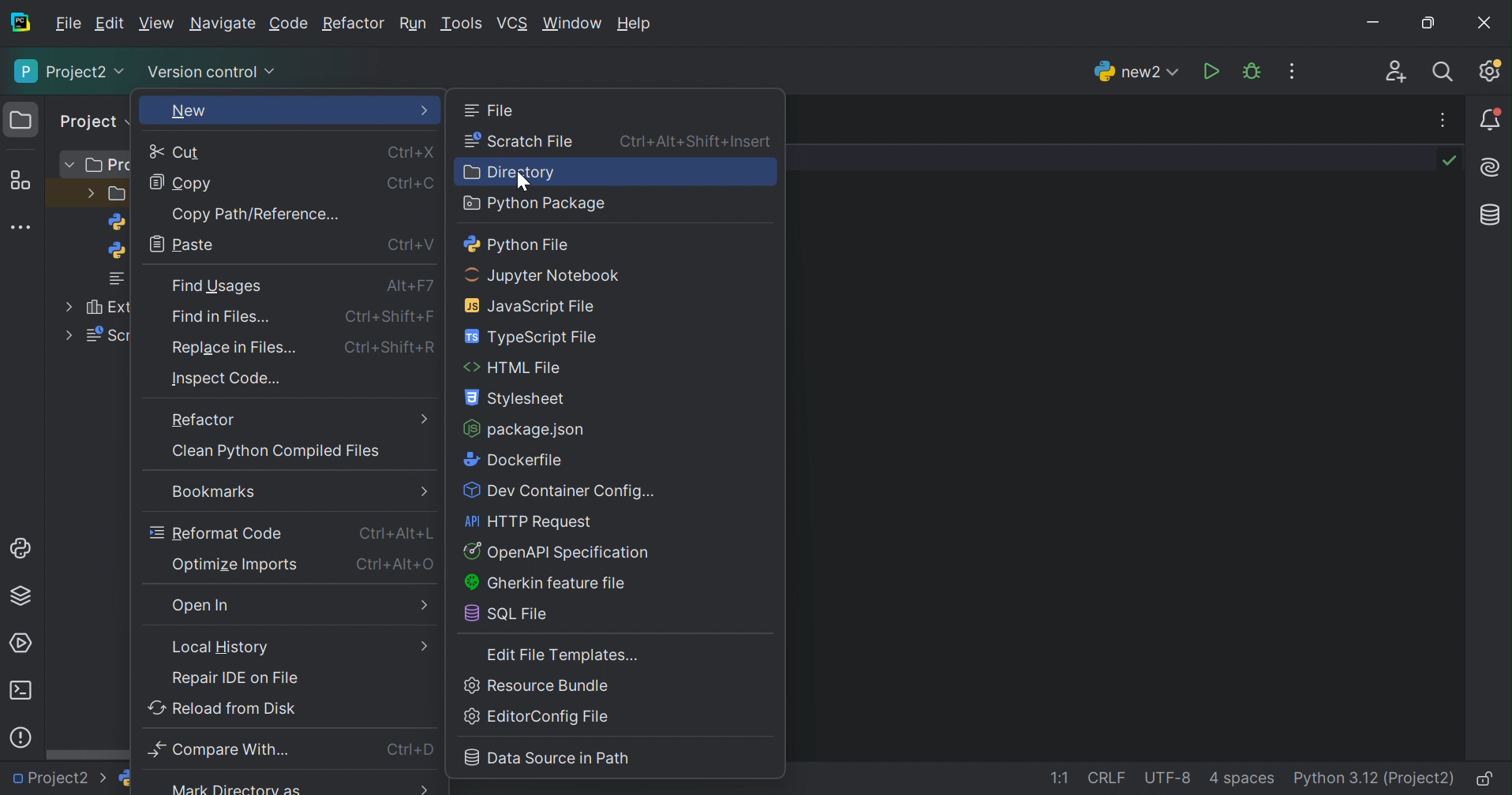  I want to click on More, so click(421, 491).